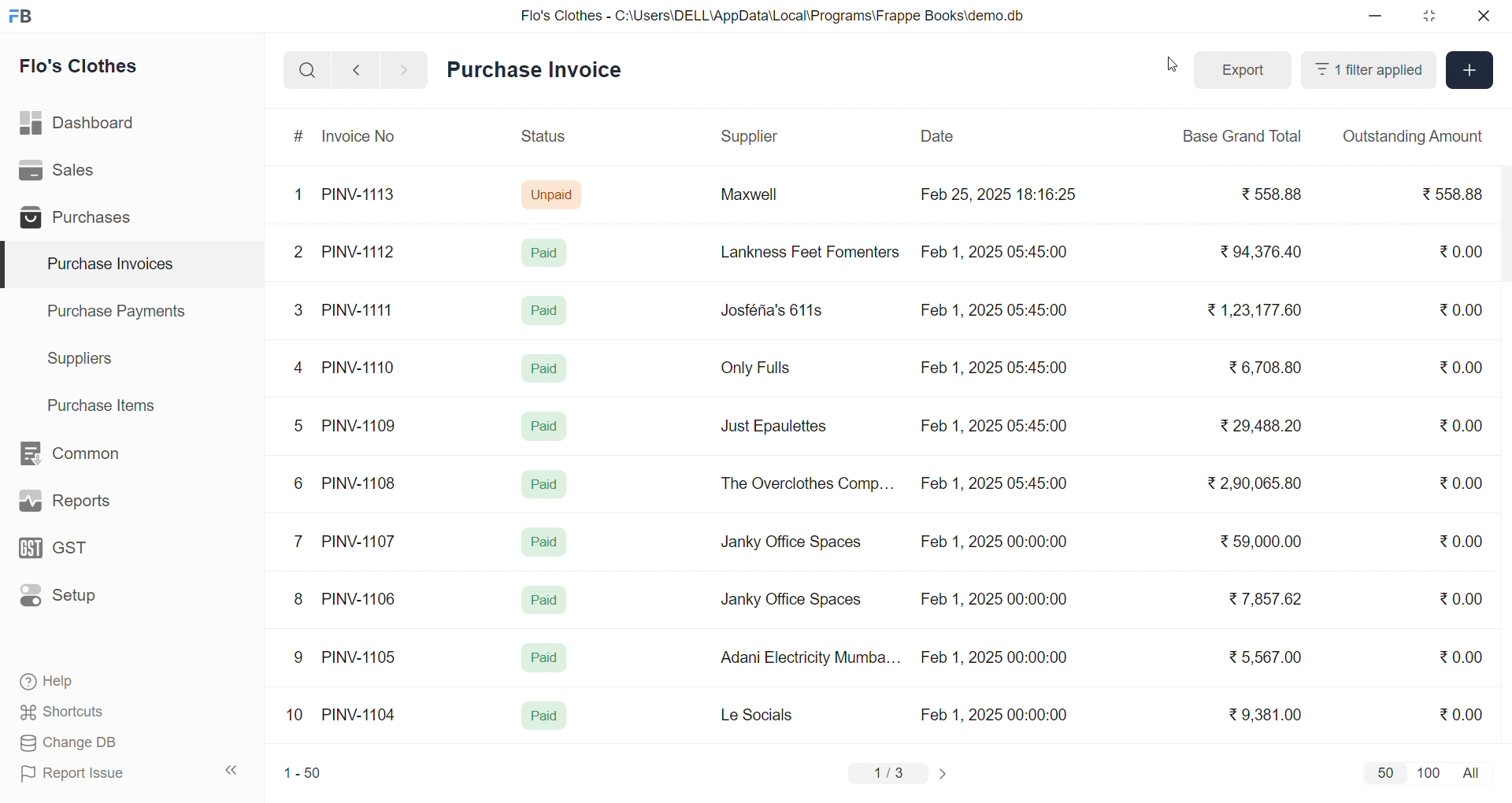 The width and height of the screenshot is (1512, 803). Describe the element at coordinates (299, 138) in the screenshot. I see `#` at that location.